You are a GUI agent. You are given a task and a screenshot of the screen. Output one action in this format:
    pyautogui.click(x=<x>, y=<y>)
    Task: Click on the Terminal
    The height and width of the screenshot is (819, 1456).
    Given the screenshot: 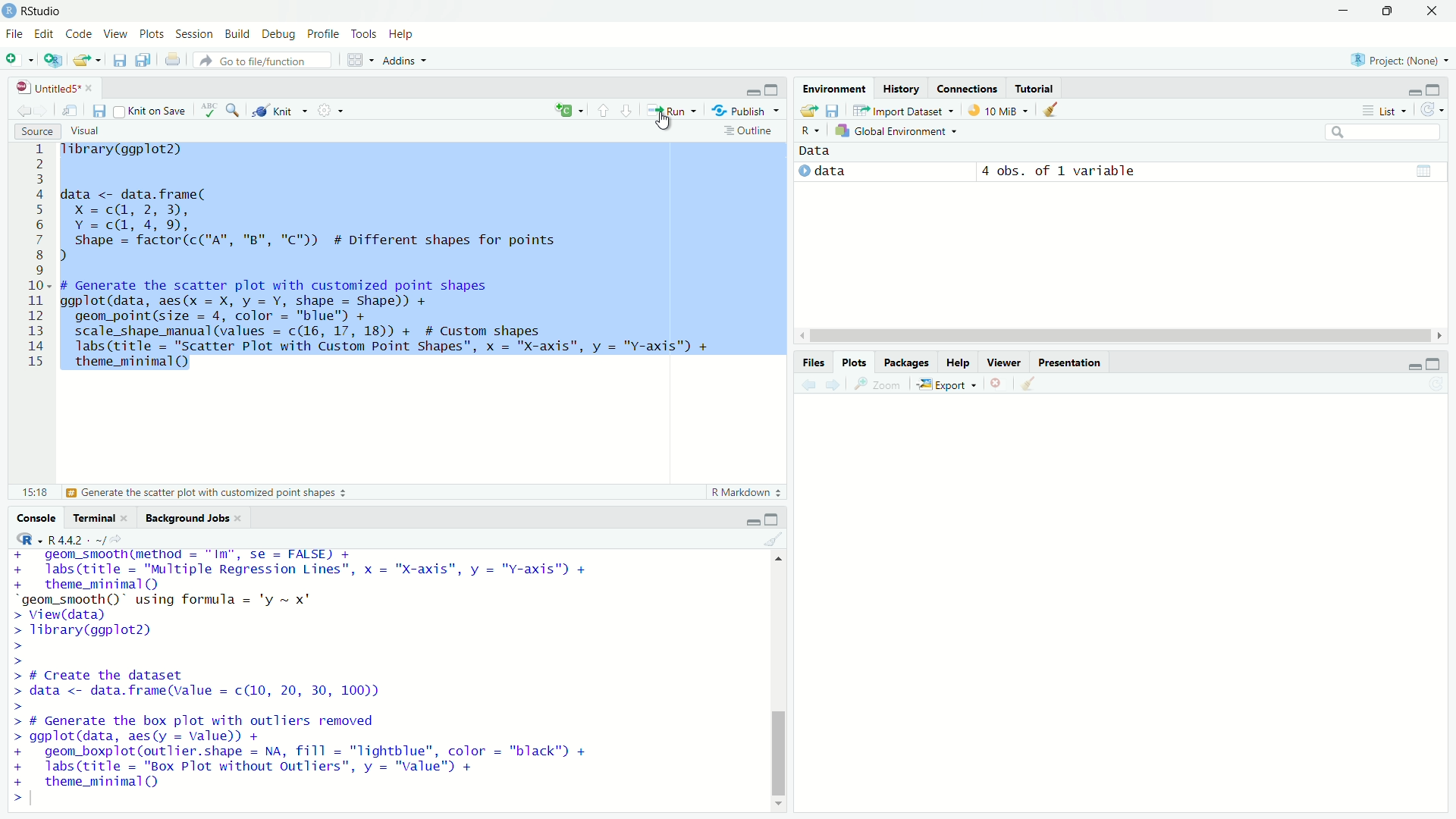 What is the action you would take?
    pyautogui.click(x=91, y=518)
    